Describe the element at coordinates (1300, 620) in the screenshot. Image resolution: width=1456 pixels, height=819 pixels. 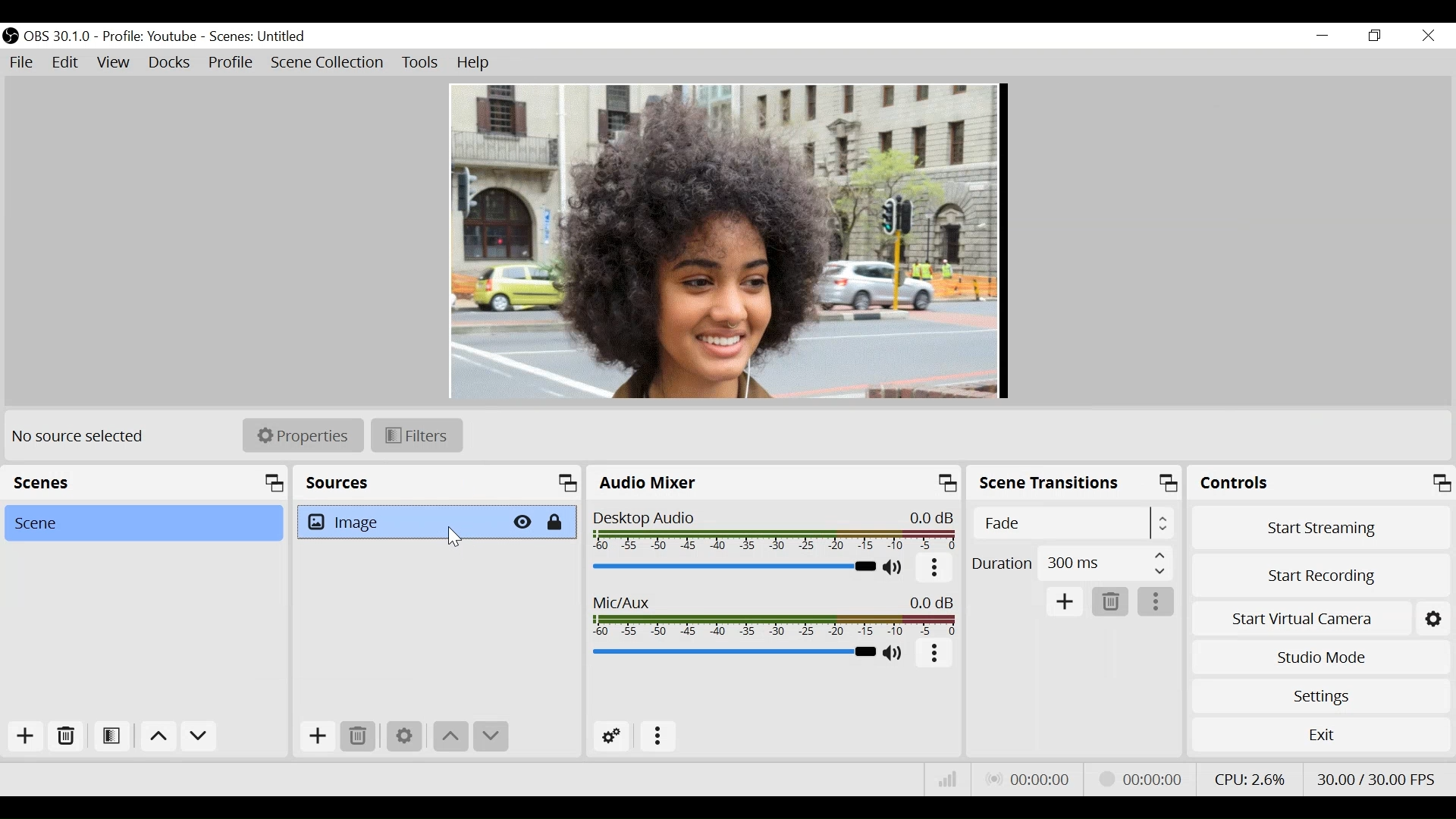
I see `Start Virtual Camera` at that location.